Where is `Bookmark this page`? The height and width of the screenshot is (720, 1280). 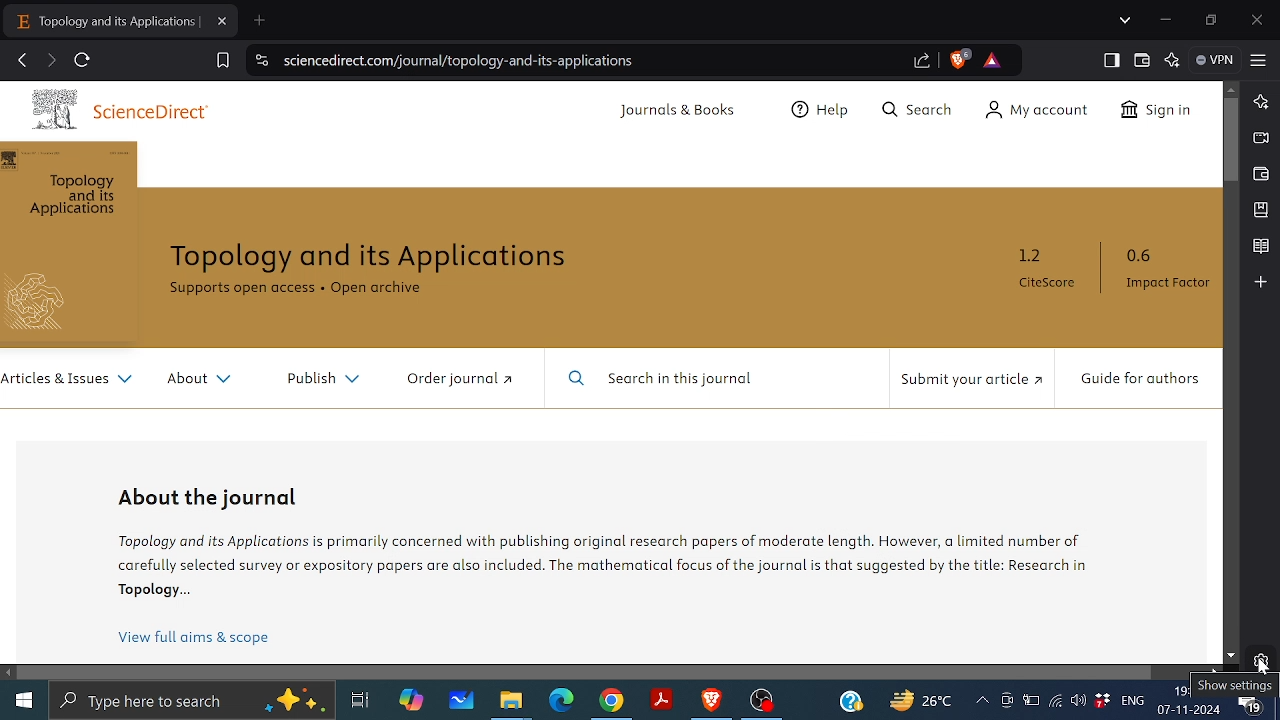
Bookmark this page is located at coordinates (223, 61).